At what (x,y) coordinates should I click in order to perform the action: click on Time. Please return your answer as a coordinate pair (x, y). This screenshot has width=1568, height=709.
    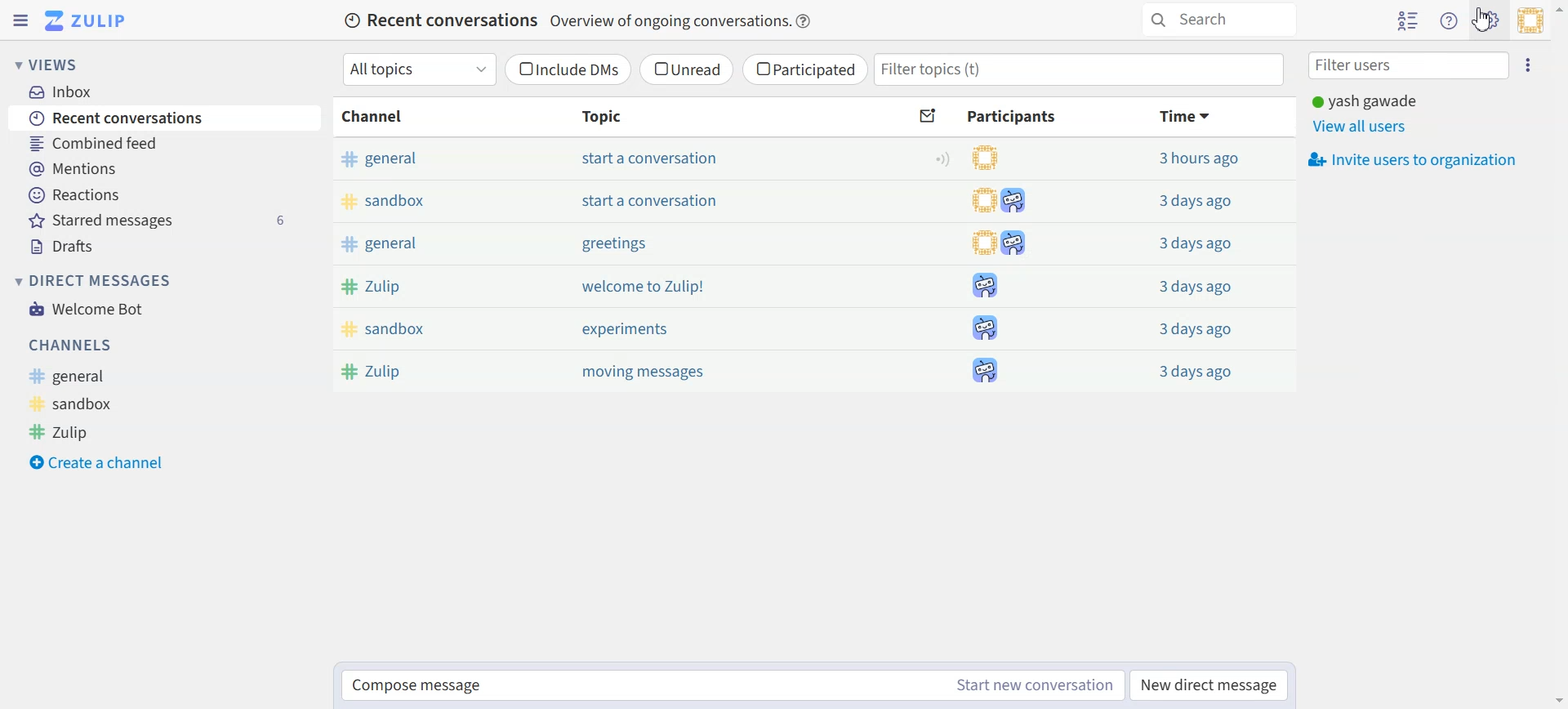
    Looking at the image, I should click on (1185, 118).